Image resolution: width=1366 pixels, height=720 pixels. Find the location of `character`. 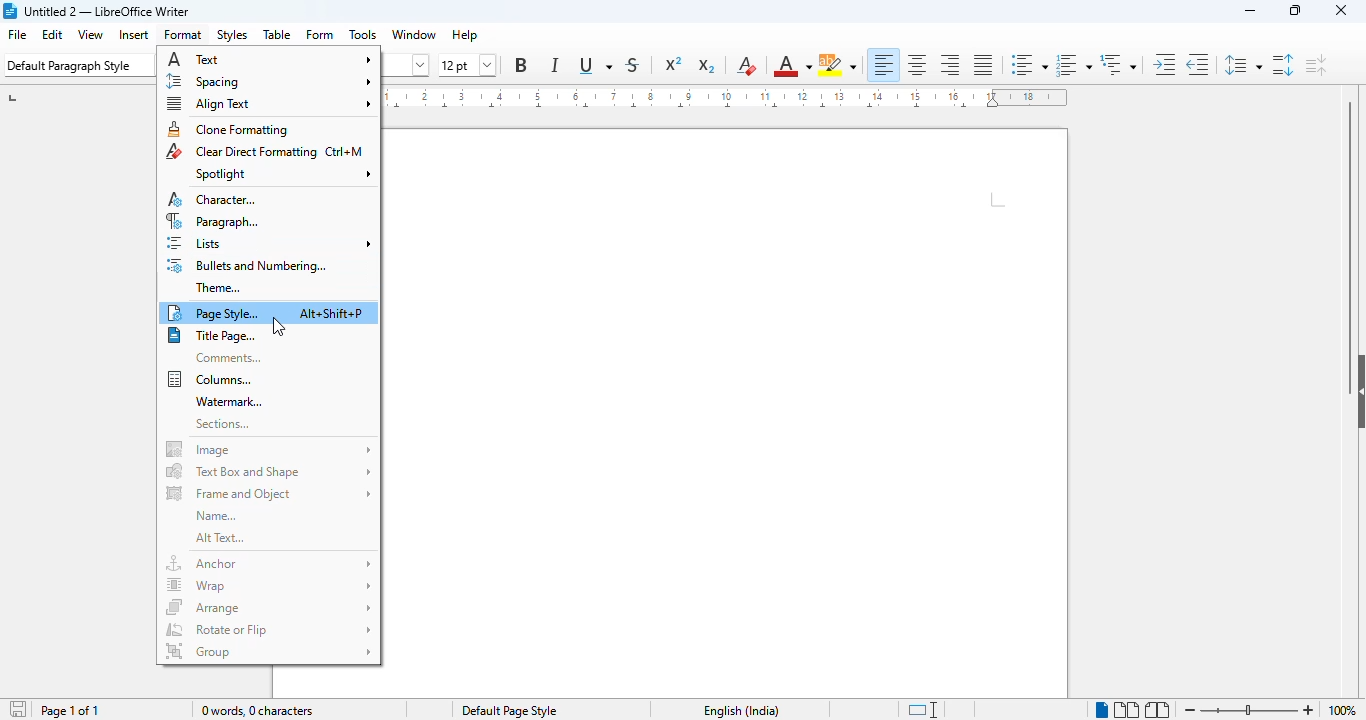

character is located at coordinates (213, 200).